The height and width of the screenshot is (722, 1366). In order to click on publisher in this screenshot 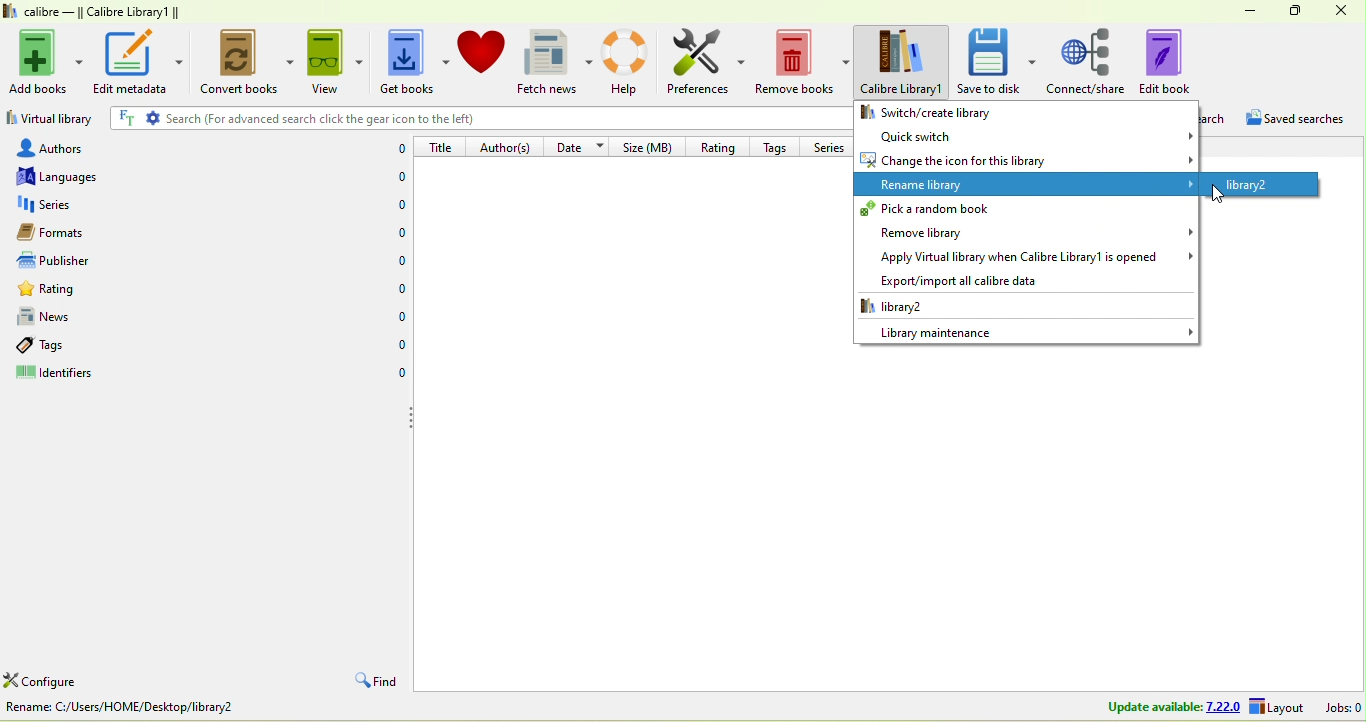, I will do `click(74, 261)`.